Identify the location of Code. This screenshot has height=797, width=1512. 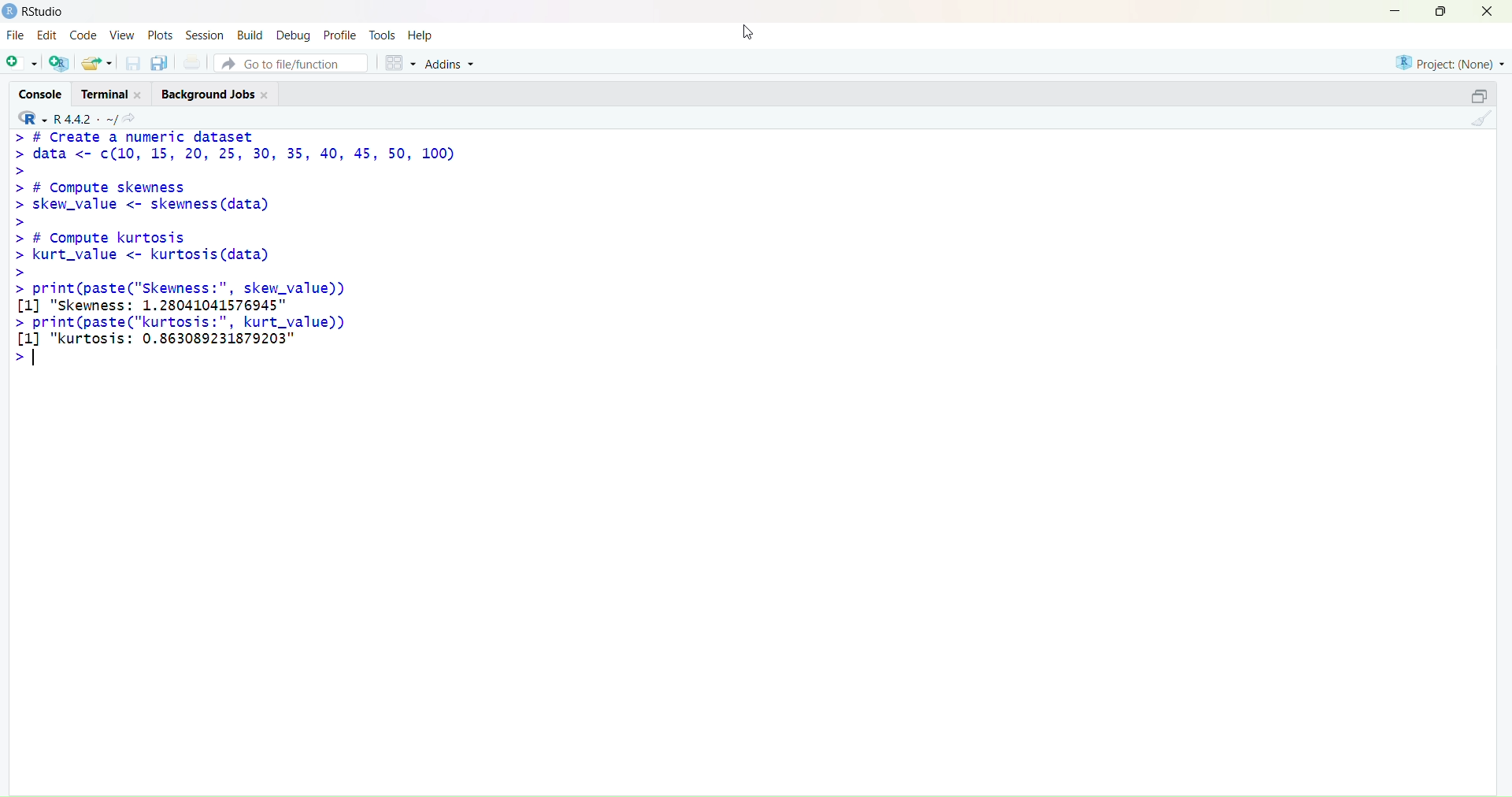
(84, 36).